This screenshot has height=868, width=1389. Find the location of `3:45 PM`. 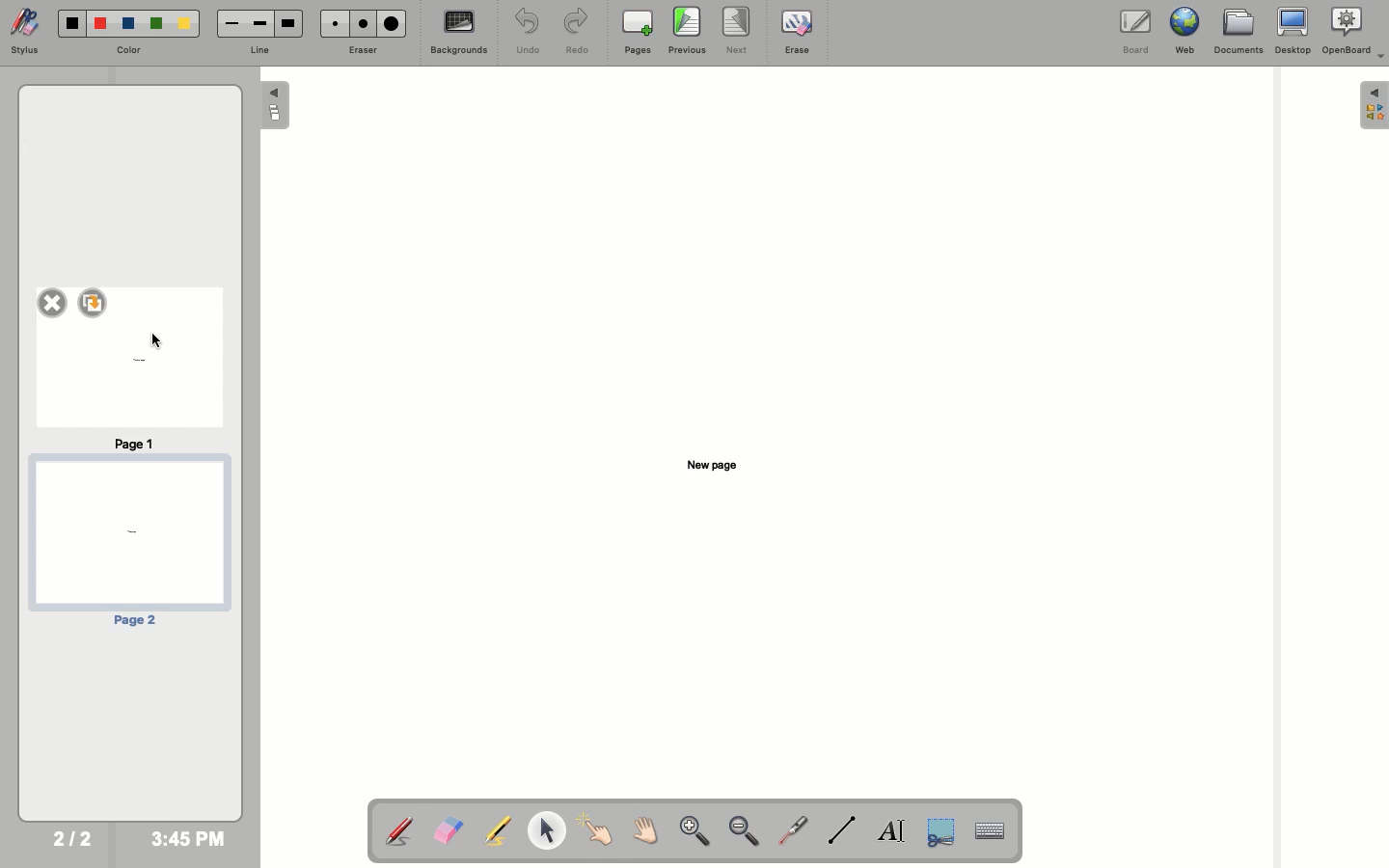

3:45 PM is located at coordinates (187, 839).